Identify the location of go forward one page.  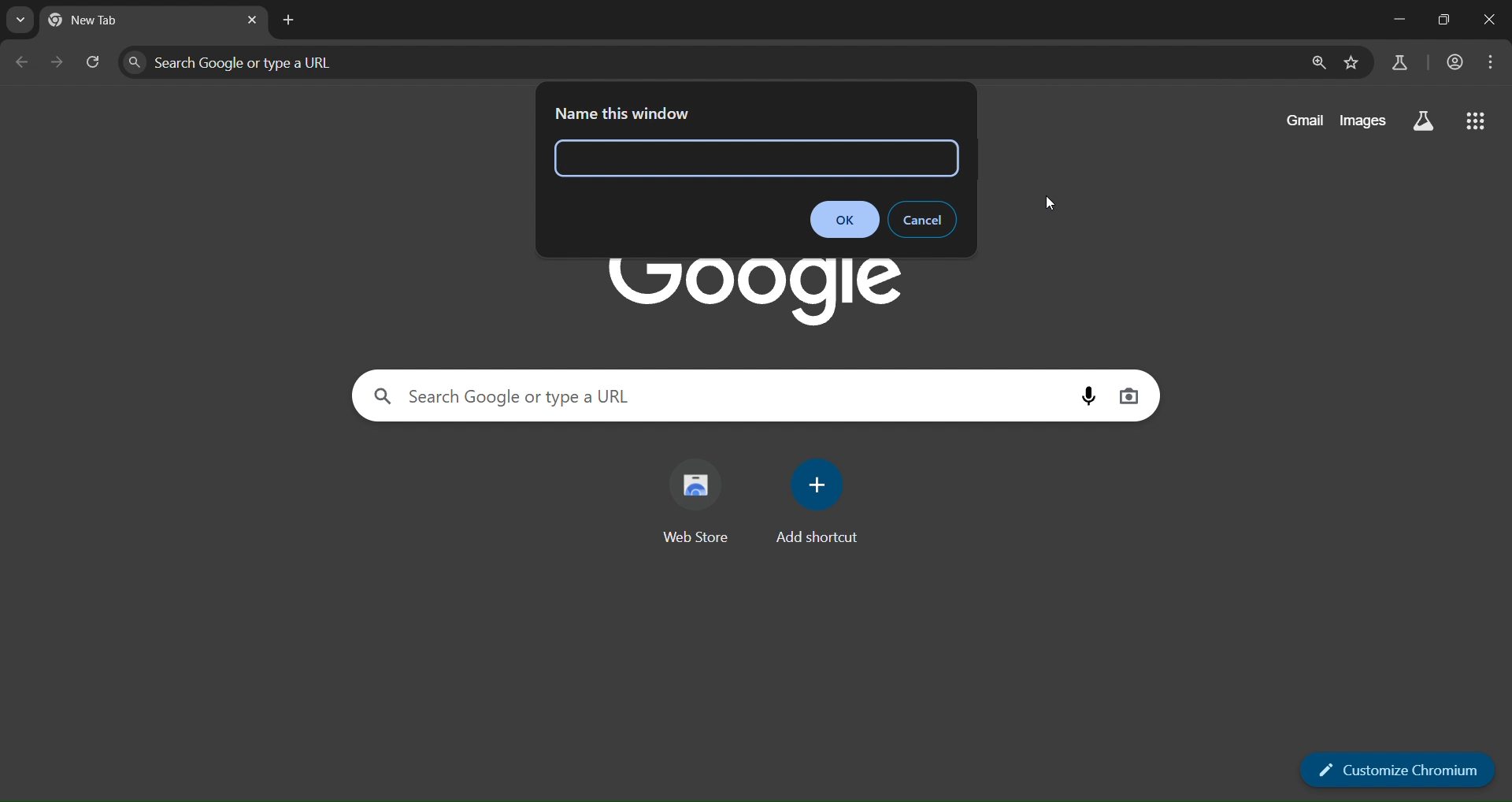
(56, 62).